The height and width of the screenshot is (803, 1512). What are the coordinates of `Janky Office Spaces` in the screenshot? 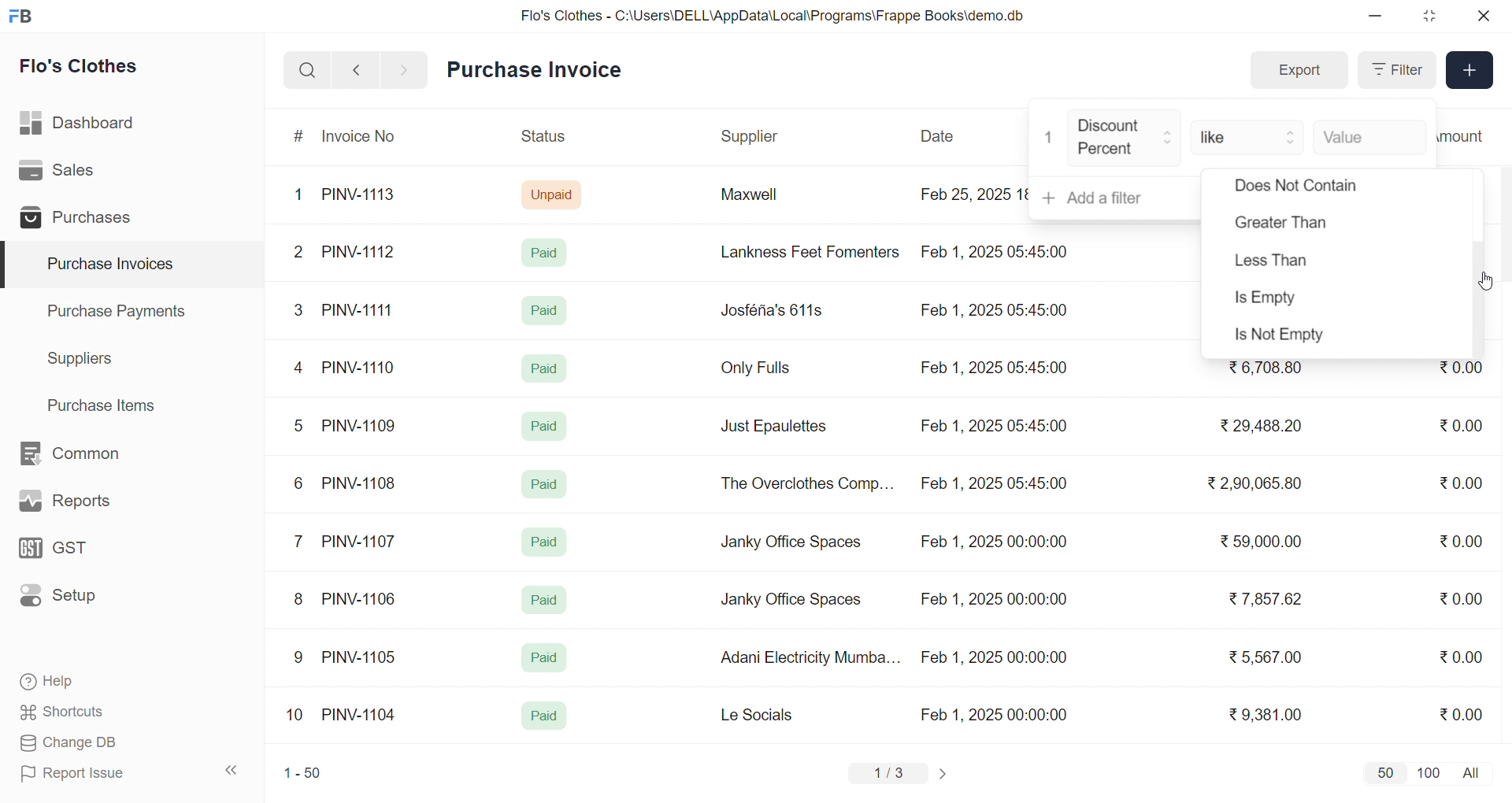 It's located at (791, 601).